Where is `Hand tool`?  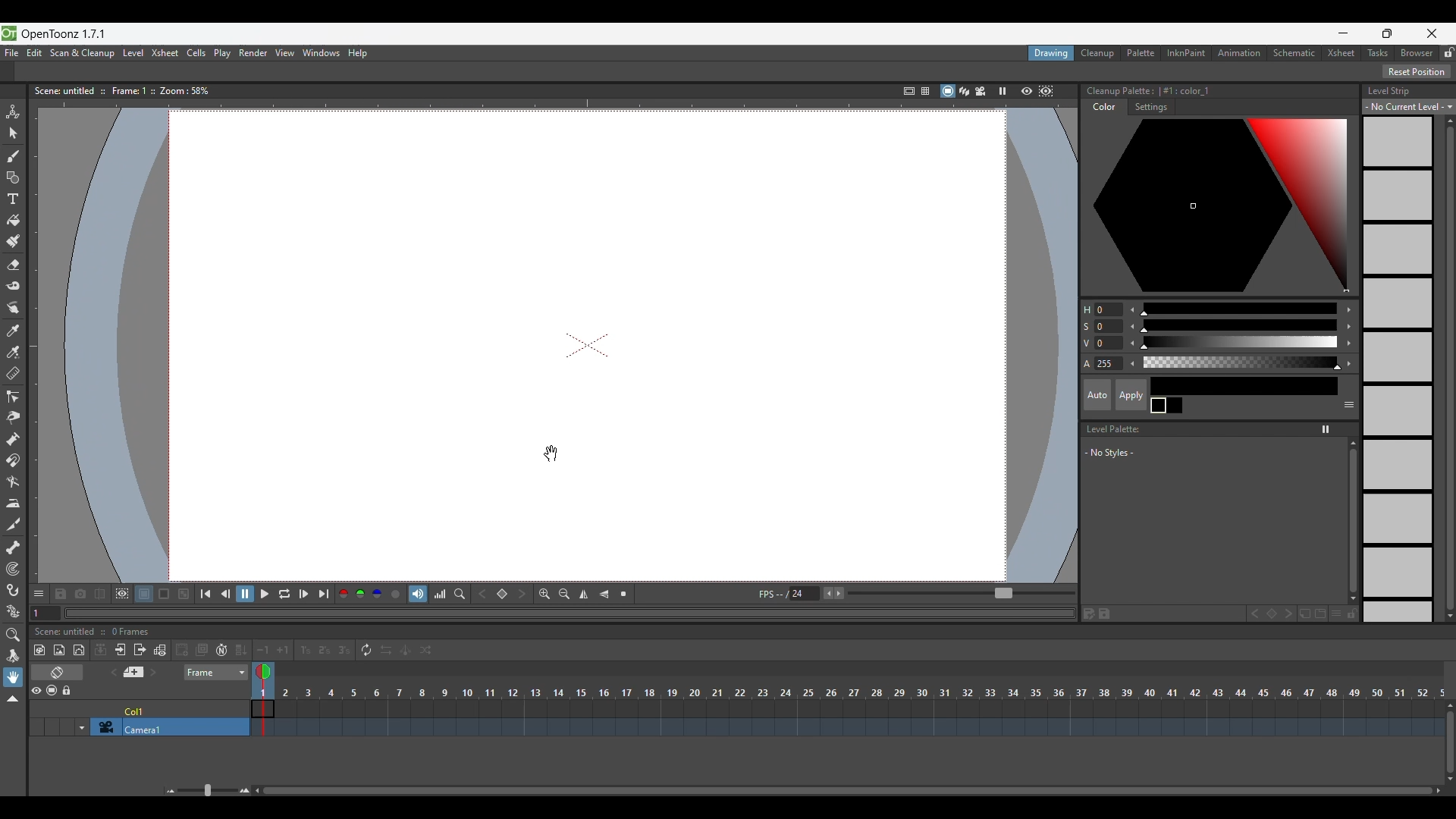 Hand tool is located at coordinates (14, 678).